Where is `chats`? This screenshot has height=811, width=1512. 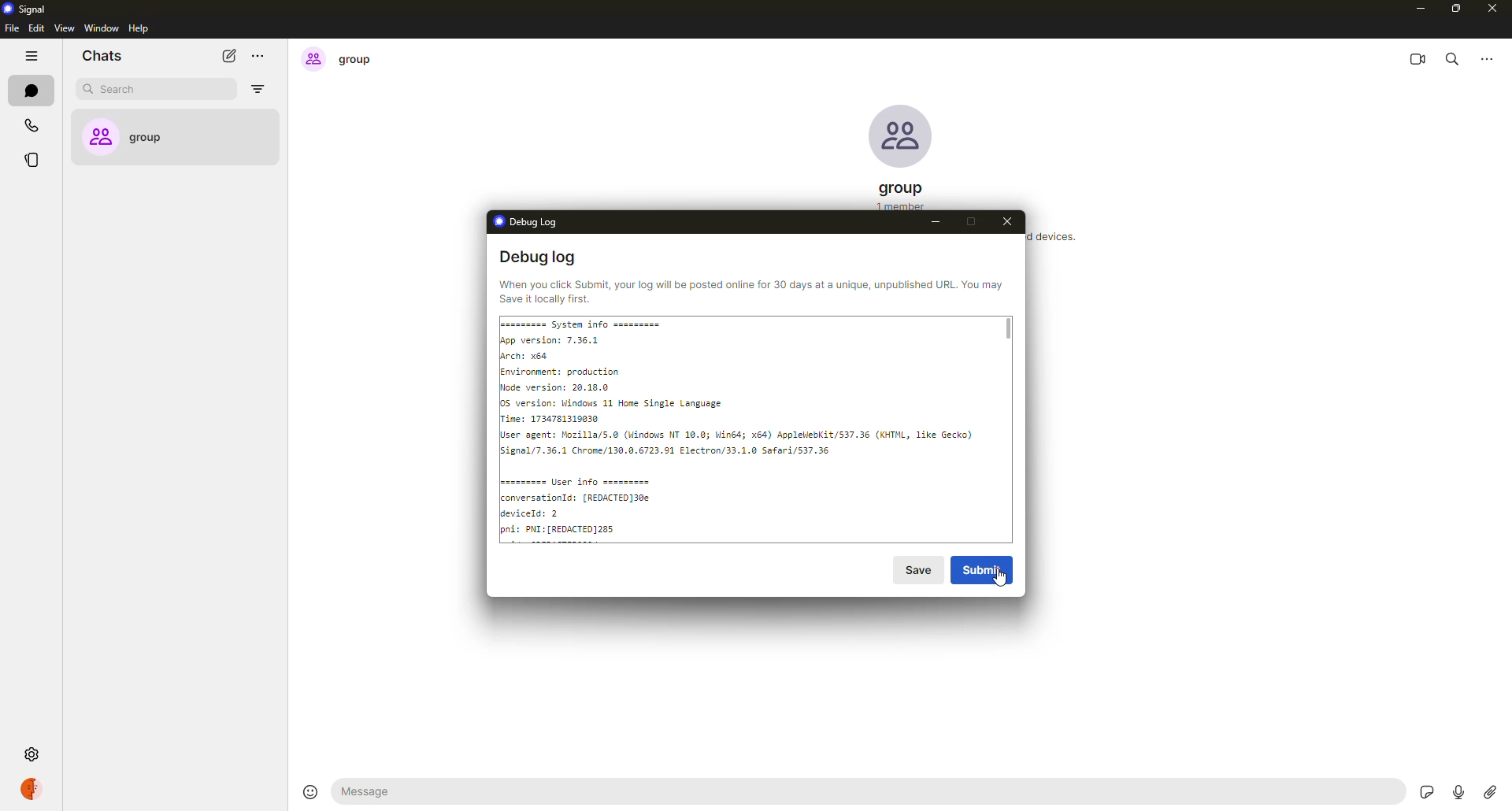
chats is located at coordinates (107, 56).